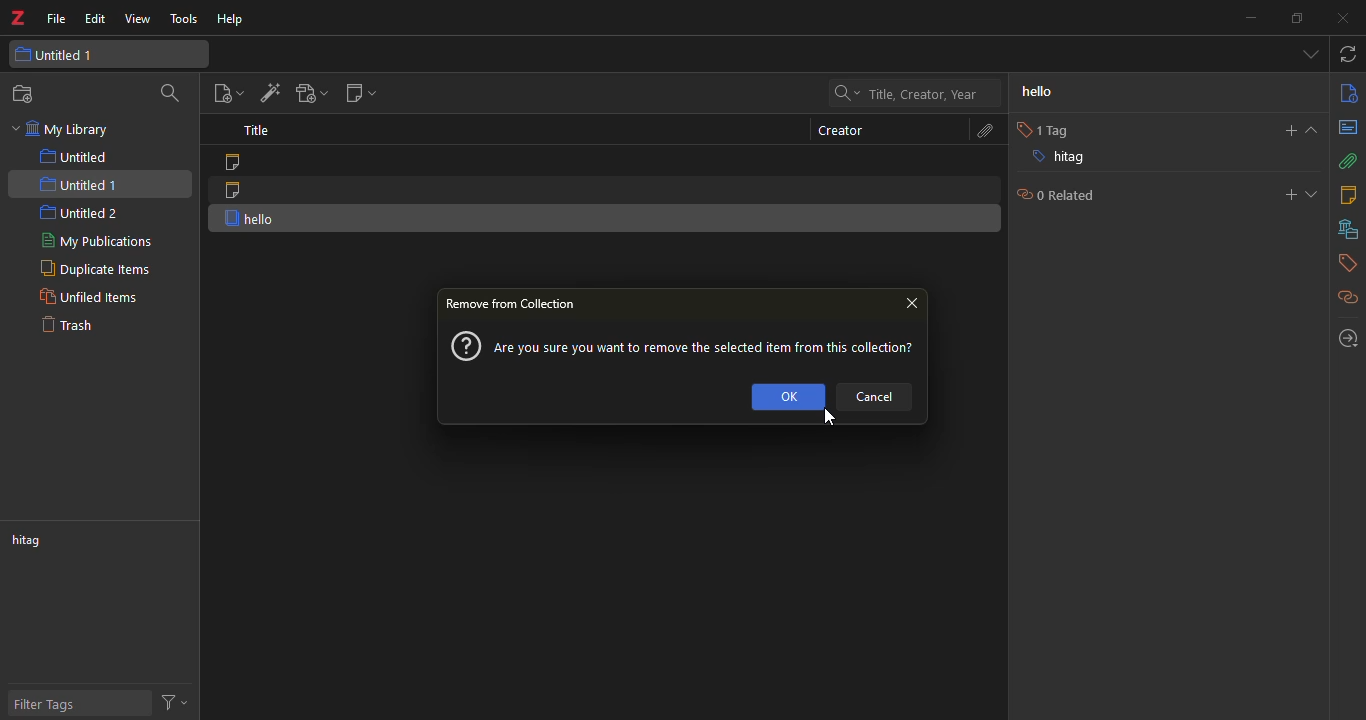 The height and width of the screenshot is (720, 1366). Describe the element at coordinates (1289, 195) in the screenshot. I see `add` at that location.